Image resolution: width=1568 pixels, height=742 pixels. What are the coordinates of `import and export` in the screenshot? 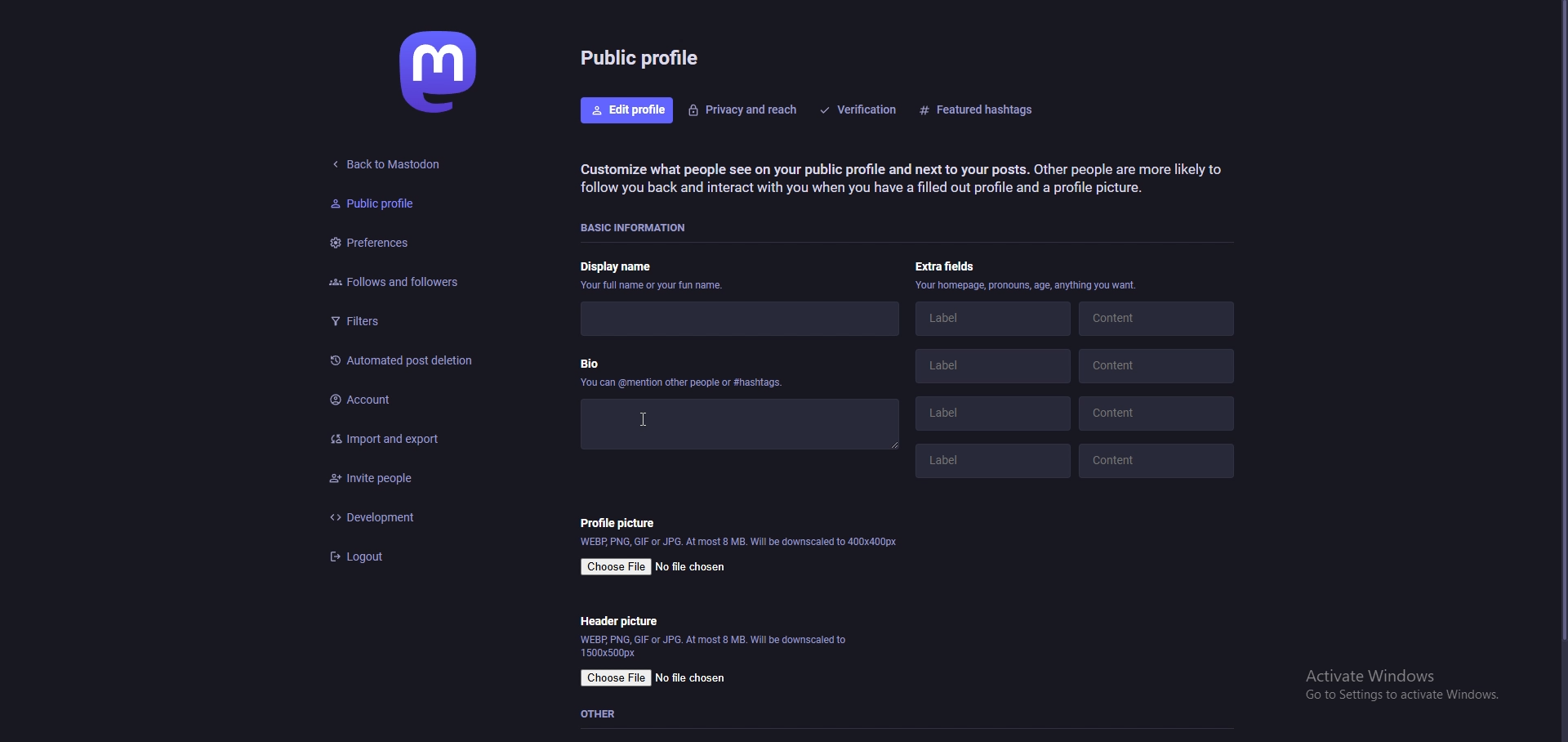 It's located at (413, 440).